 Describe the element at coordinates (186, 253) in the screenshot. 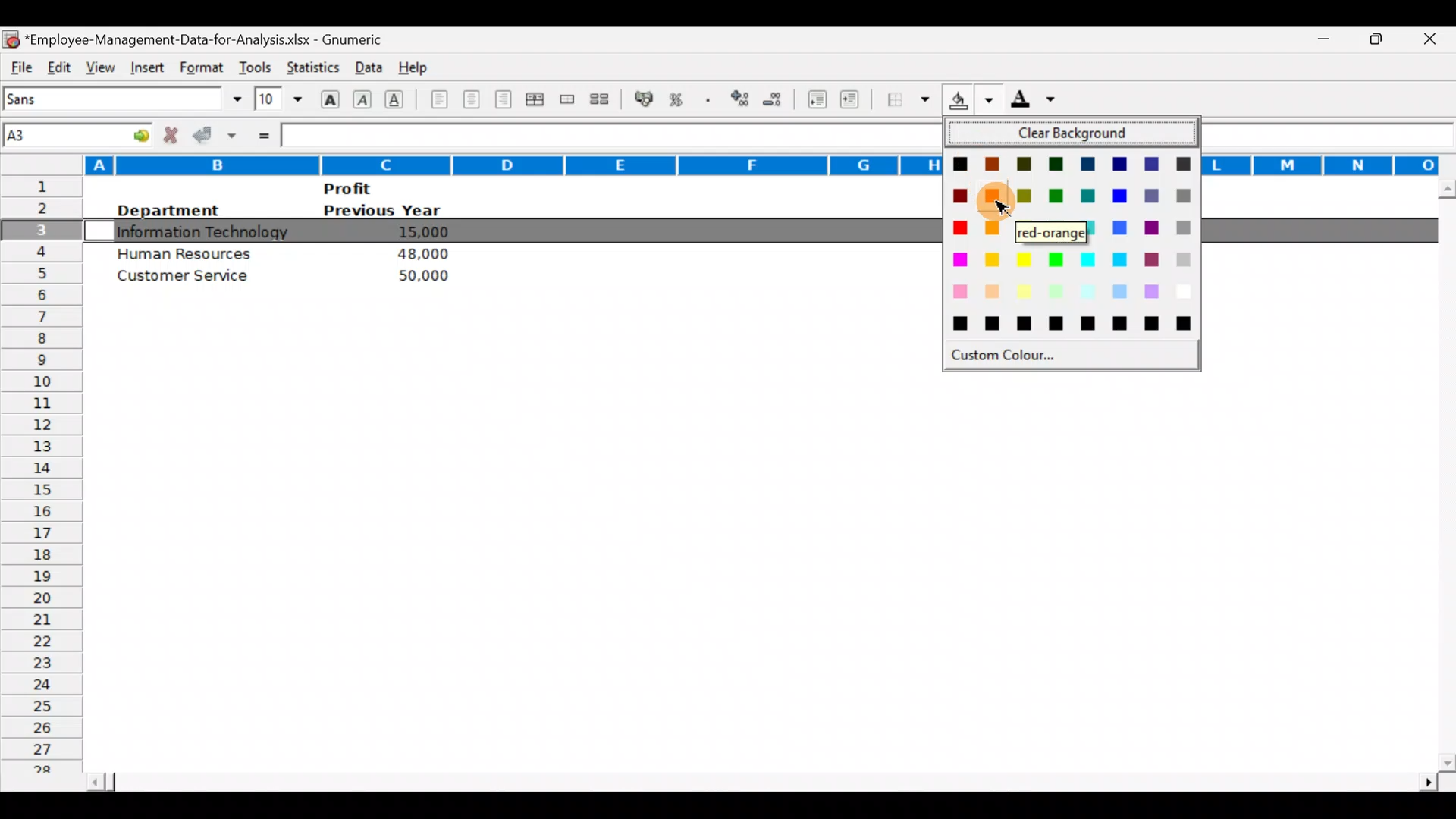

I see `Human Resources` at that location.